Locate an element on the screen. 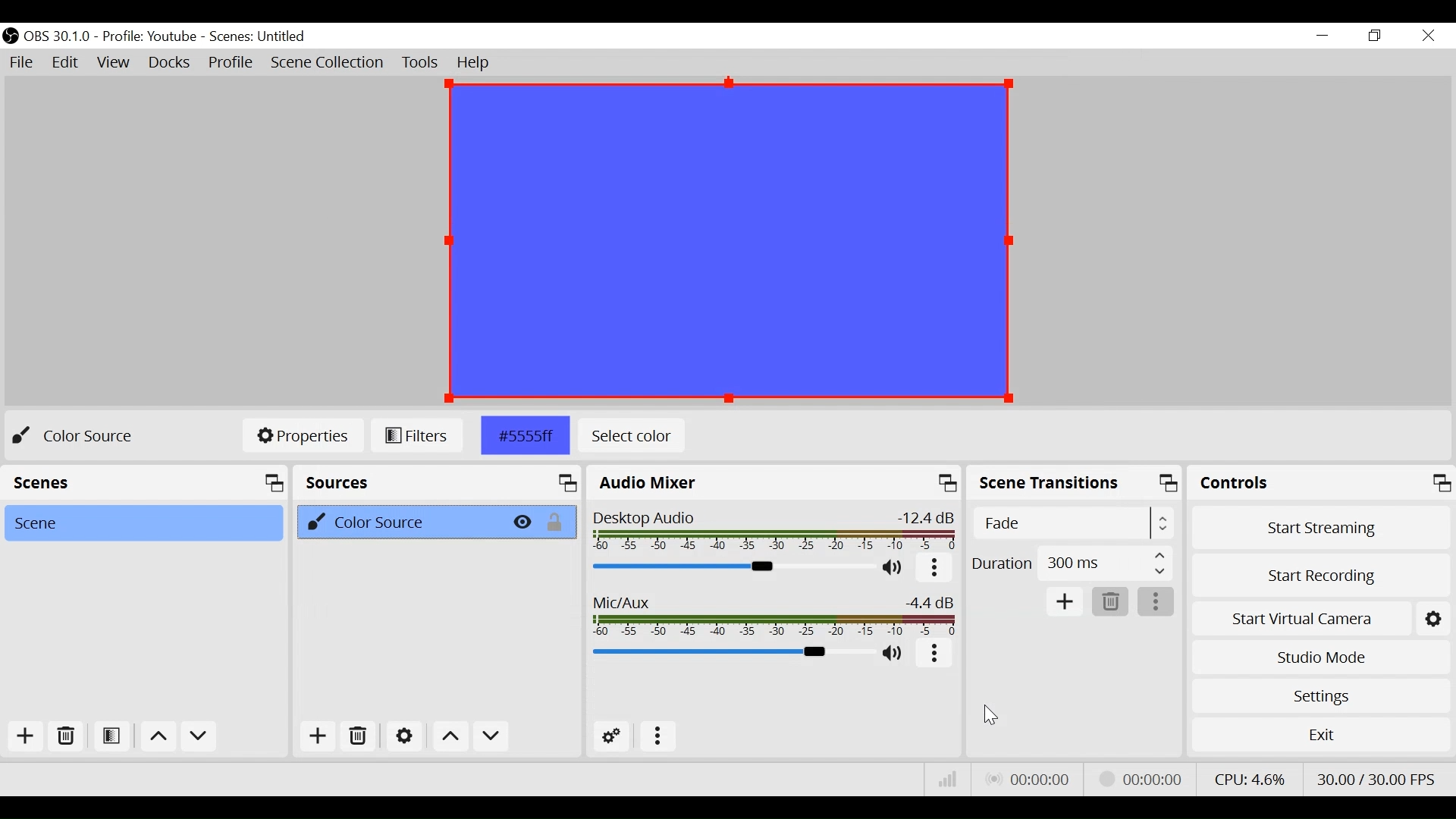 The width and height of the screenshot is (1456, 819). Tools is located at coordinates (418, 62).